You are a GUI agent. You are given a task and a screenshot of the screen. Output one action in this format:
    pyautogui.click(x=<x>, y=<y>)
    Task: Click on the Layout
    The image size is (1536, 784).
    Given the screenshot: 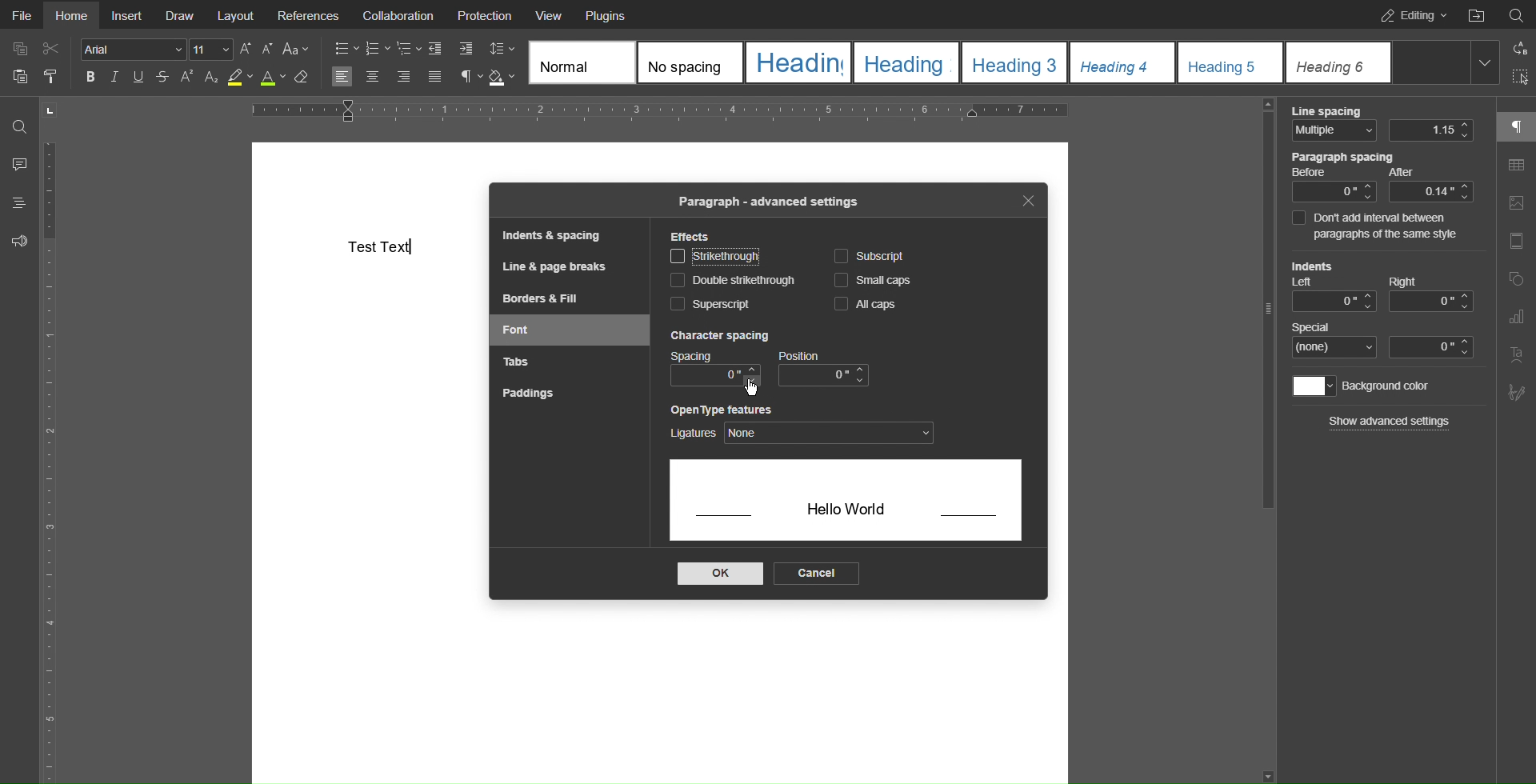 What is the action you would take?
    pyautogui.click(x=237, y=14)
    